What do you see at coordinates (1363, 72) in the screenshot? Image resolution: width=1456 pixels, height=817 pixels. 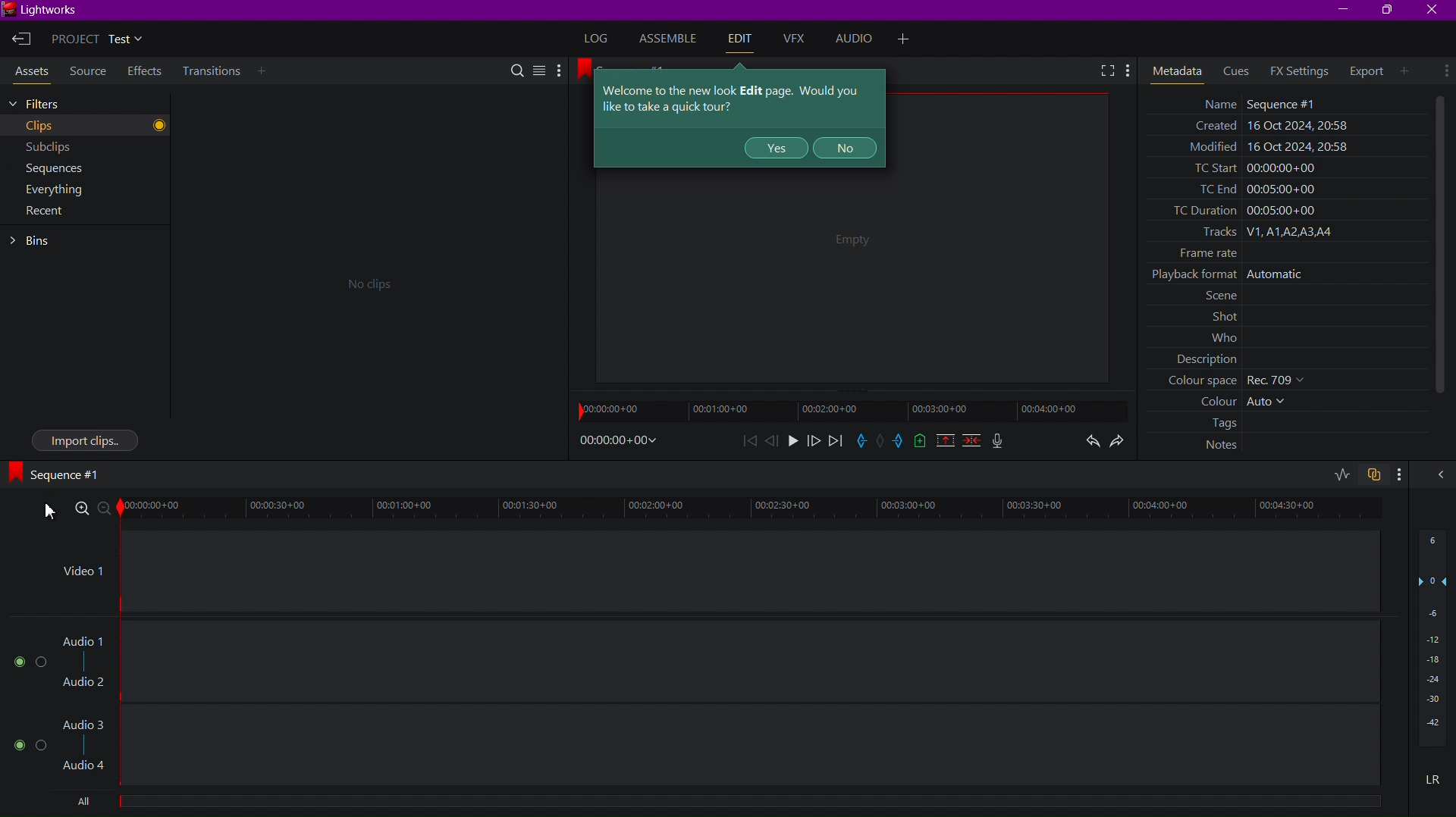 I see `Export` at bounding box center [1363, 72].